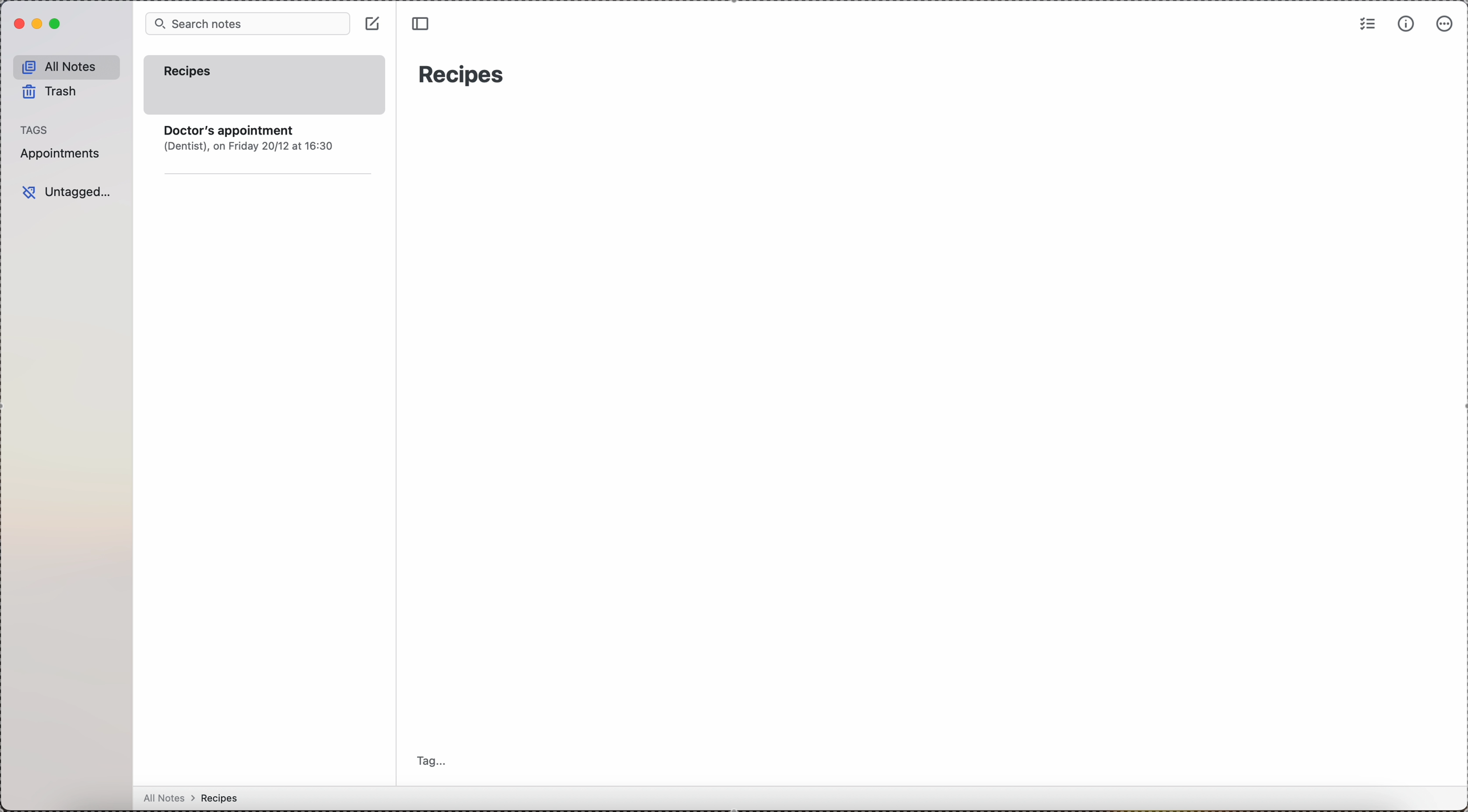  I want to click on search bar, so click(247, 24).